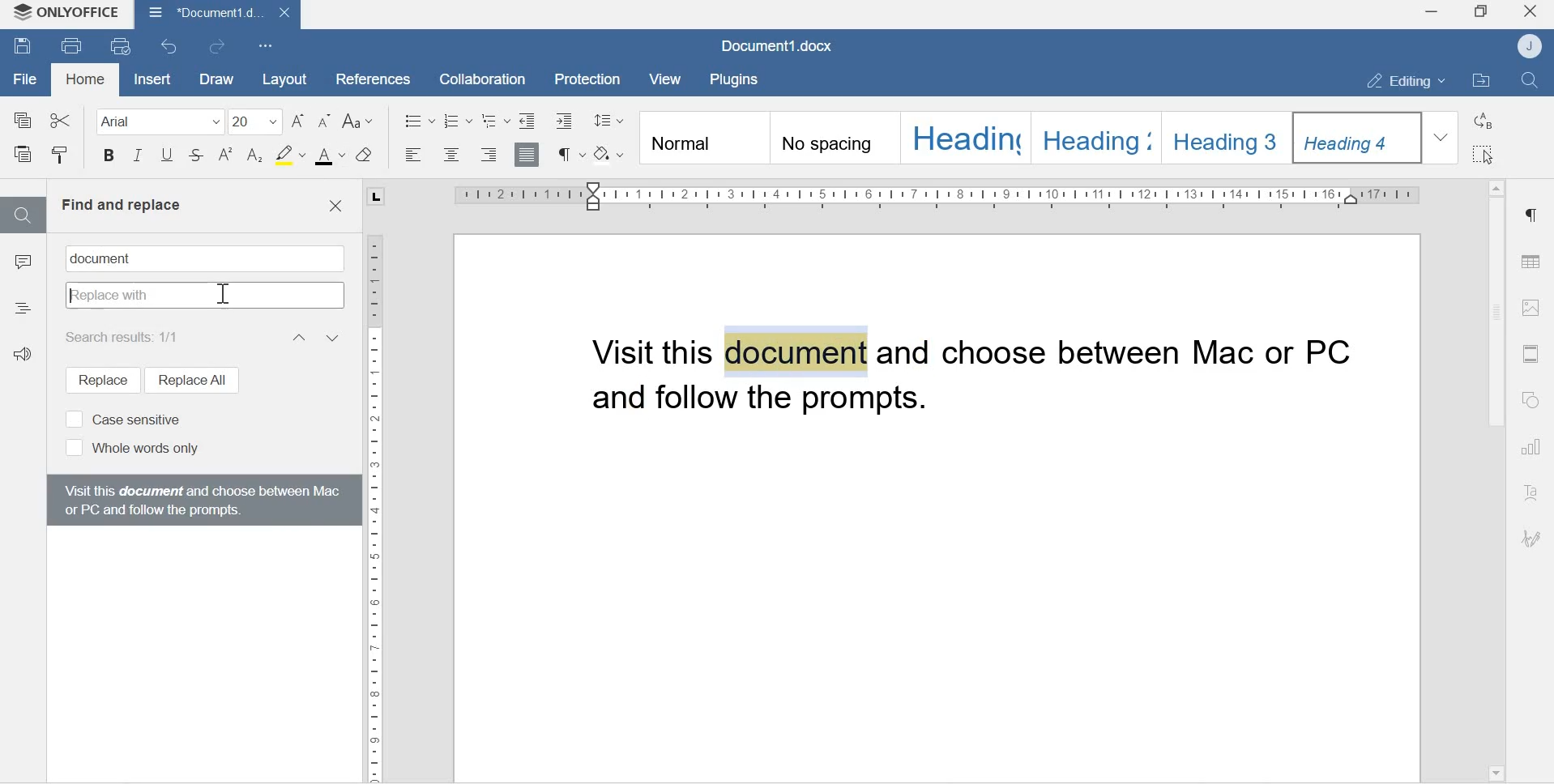 This screenshot has height=784, width=1554. I want to click on Table, so click(1531, 258).